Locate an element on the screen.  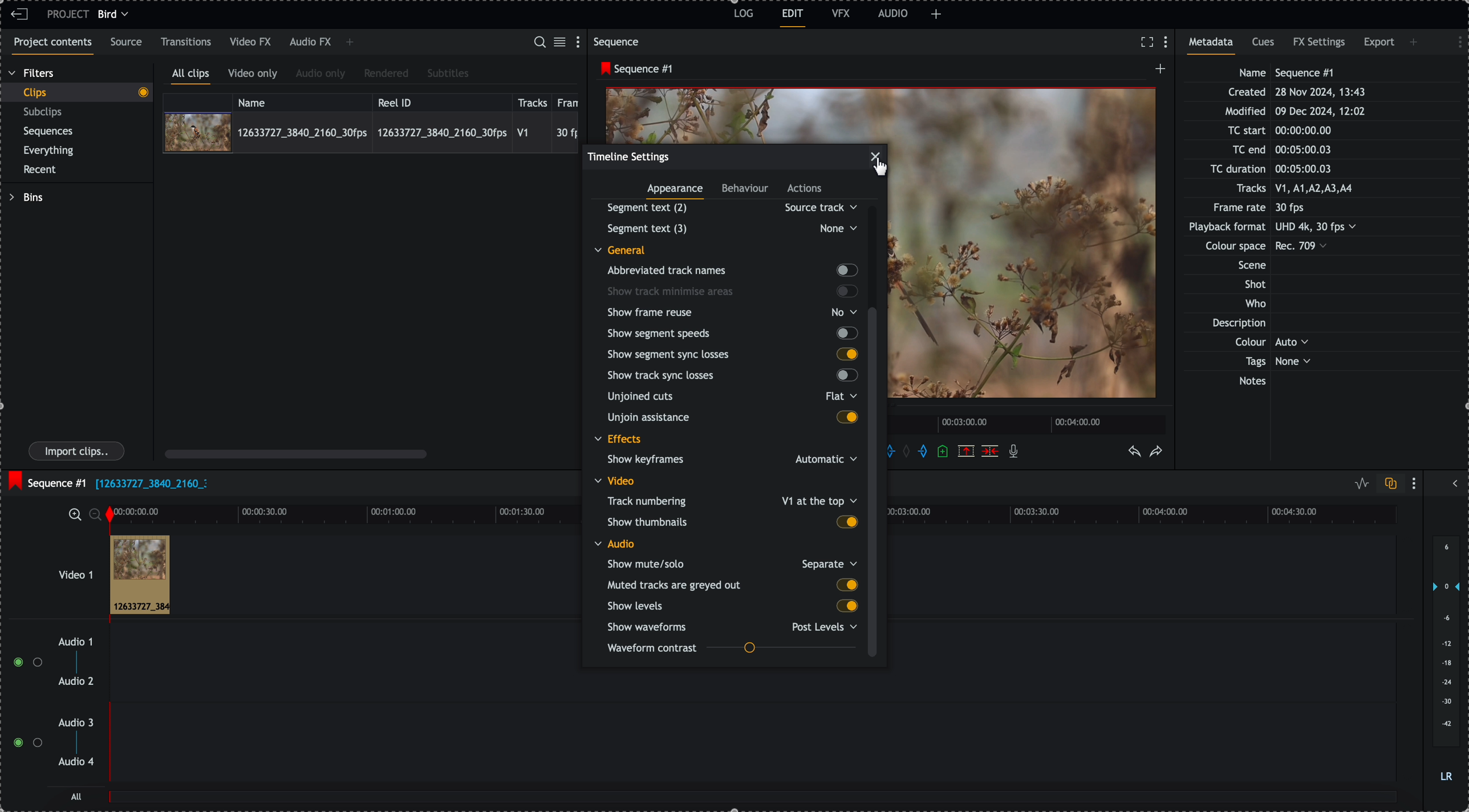
all is located at coordinates (77, 796).